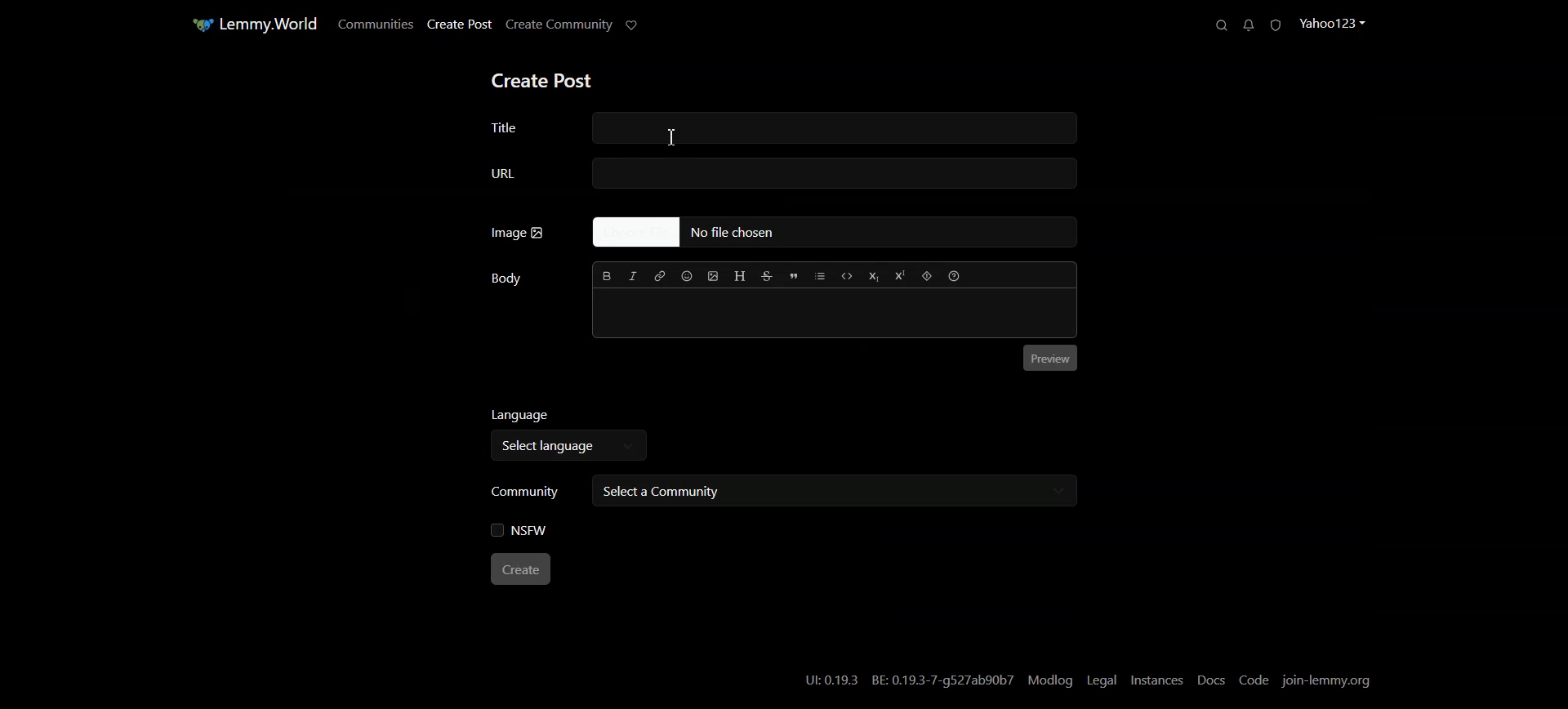 The width and height of the screenshot is (1568, 709). What do you see at coordinates (906, 679) in the screenshot?
I see `U:0.19.3 BE: 0.19.3-7-g527ab90b7` at bounding box center [906, 679].